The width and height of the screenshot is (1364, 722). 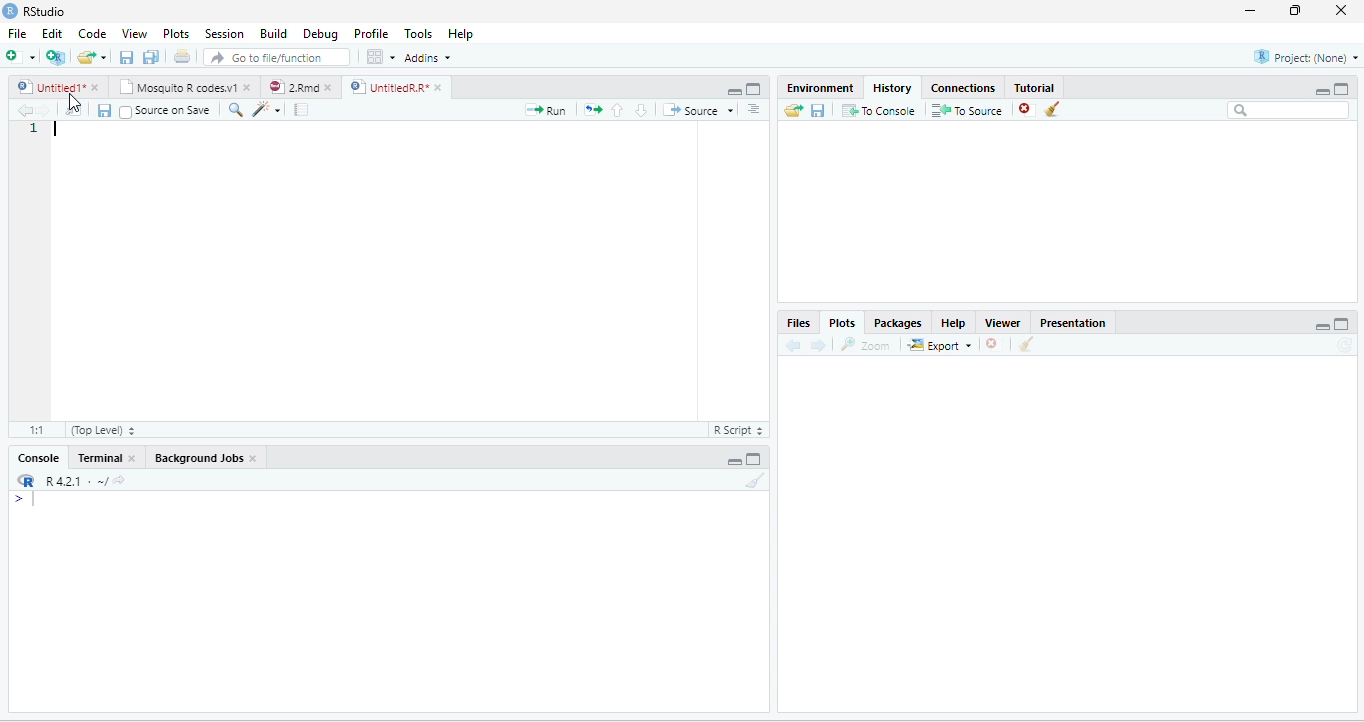 I want to click on Minimize, so click(x=1322, y=91).